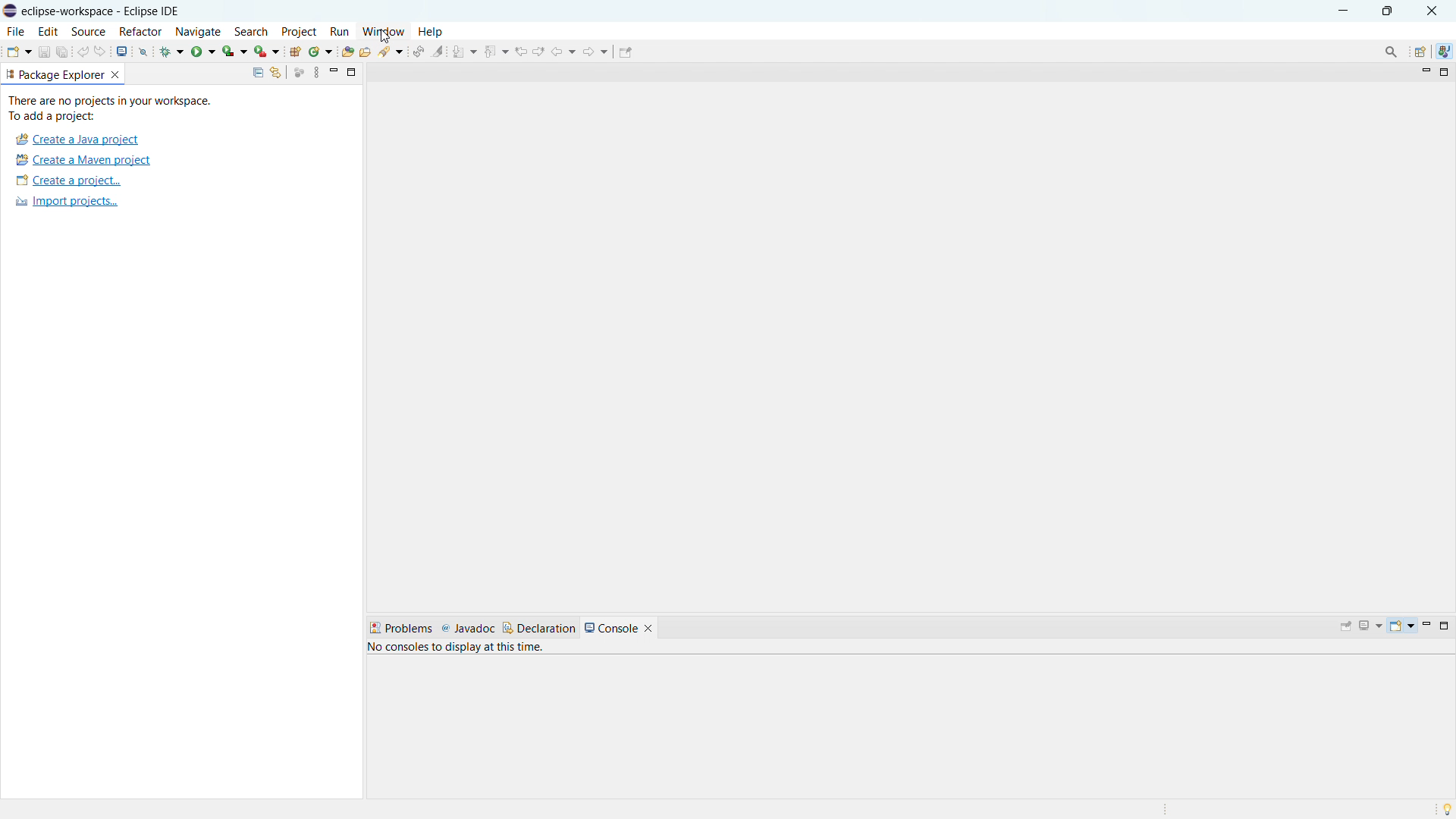 This screenshot has height=819, width=1456. What do you see at coordinates (115, 11) in the screenshot?
I see `eclipse-workspace - Eclipse IDE` at bounding box center [115, 11].